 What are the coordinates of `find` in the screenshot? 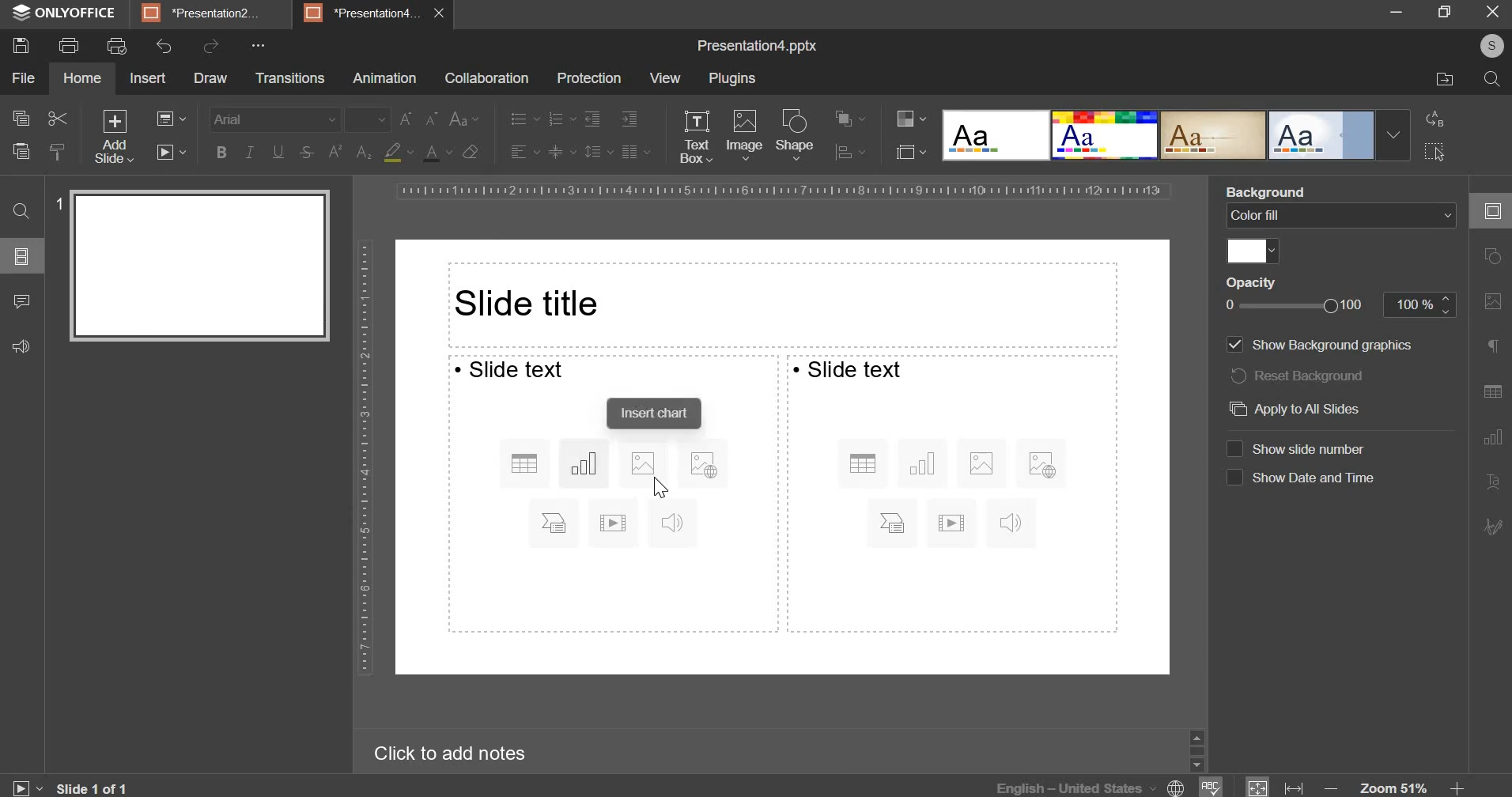 It's located at (22, 210).